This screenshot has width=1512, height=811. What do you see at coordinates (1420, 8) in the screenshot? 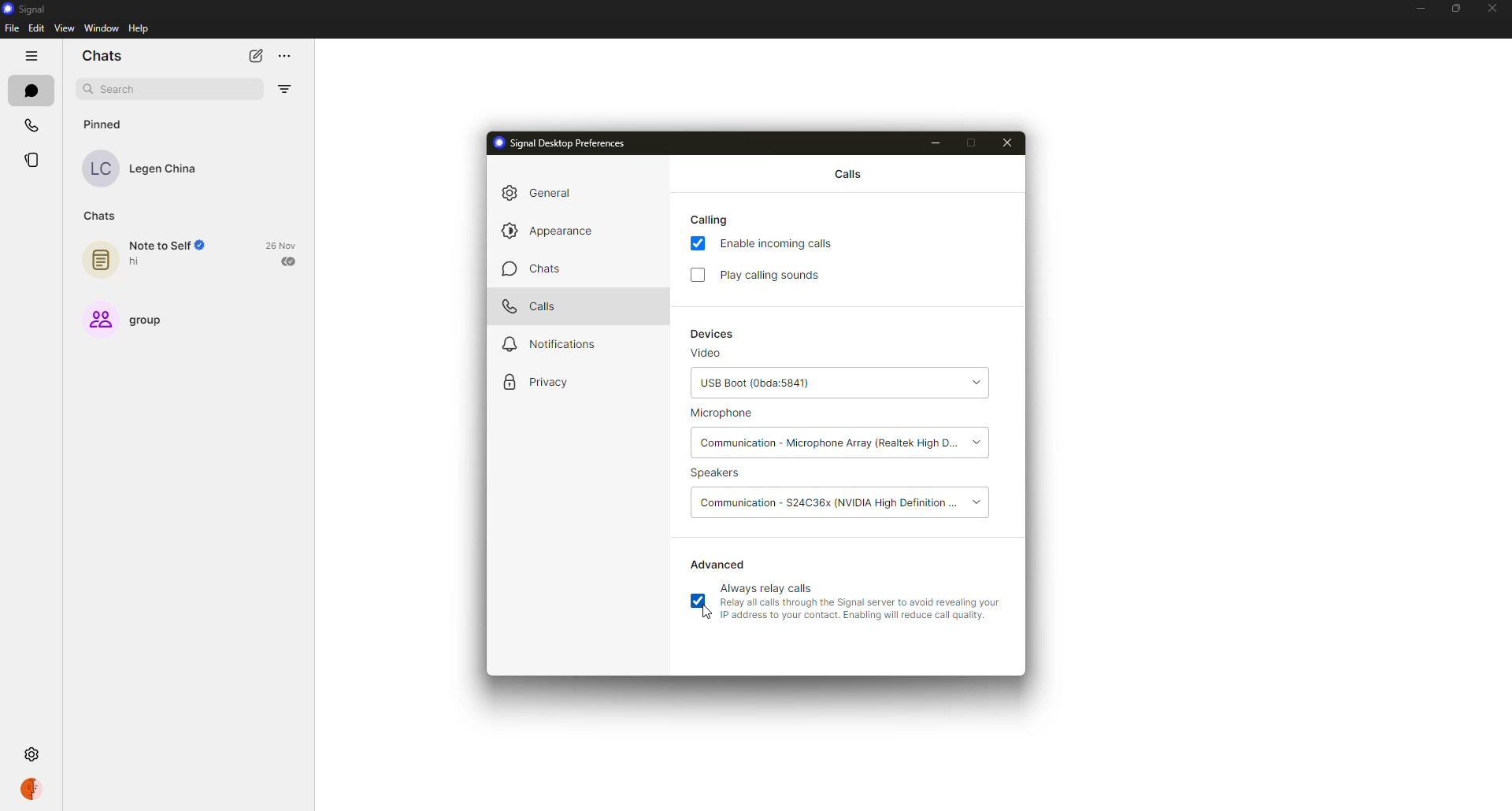
I see `minimize` at bounding box center [1420, 8].